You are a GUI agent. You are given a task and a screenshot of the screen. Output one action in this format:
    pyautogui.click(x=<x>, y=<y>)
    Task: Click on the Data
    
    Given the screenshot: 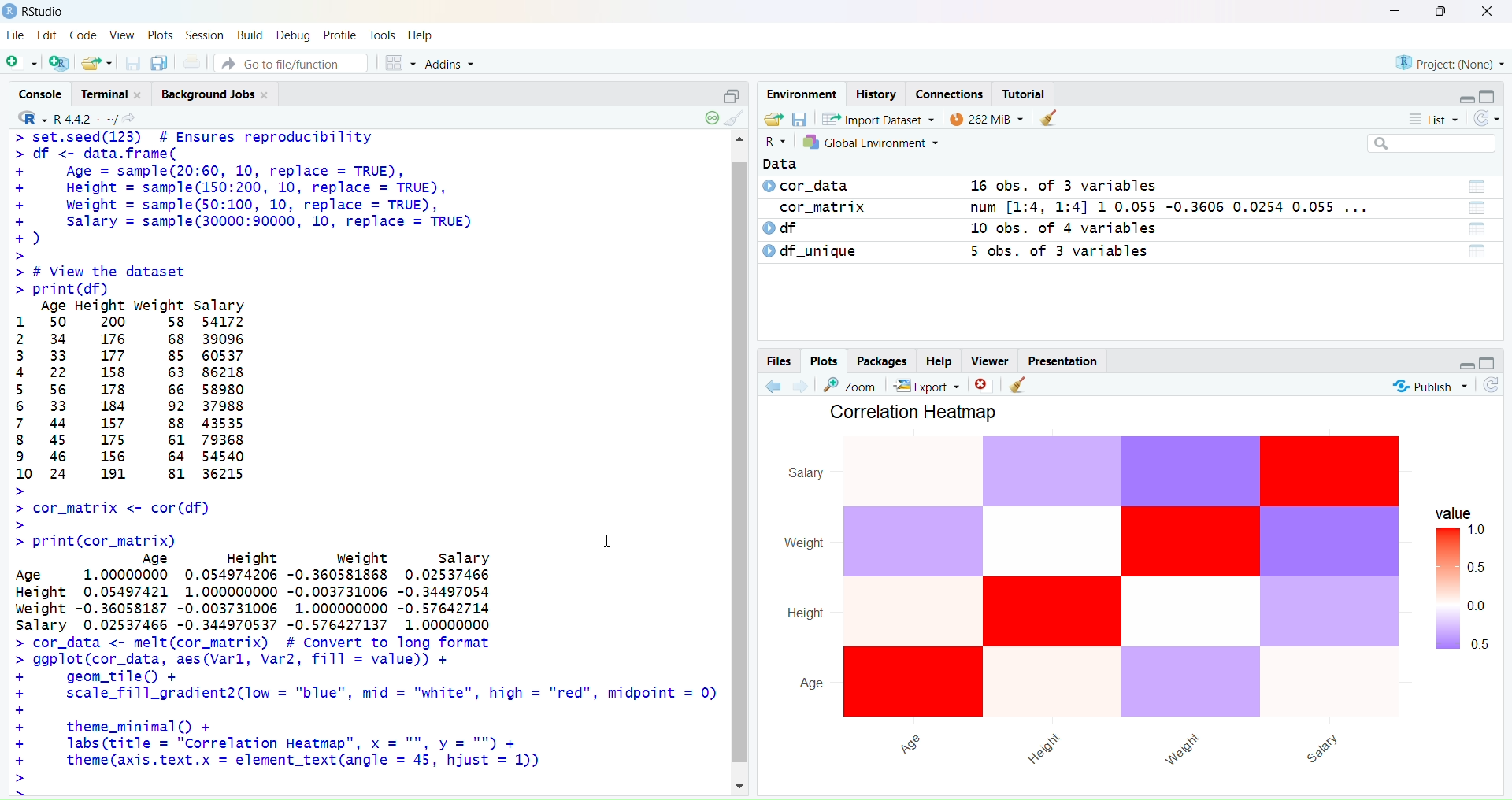 What is the action you would take?
    pyautogui.click(x=778, y=161)
    